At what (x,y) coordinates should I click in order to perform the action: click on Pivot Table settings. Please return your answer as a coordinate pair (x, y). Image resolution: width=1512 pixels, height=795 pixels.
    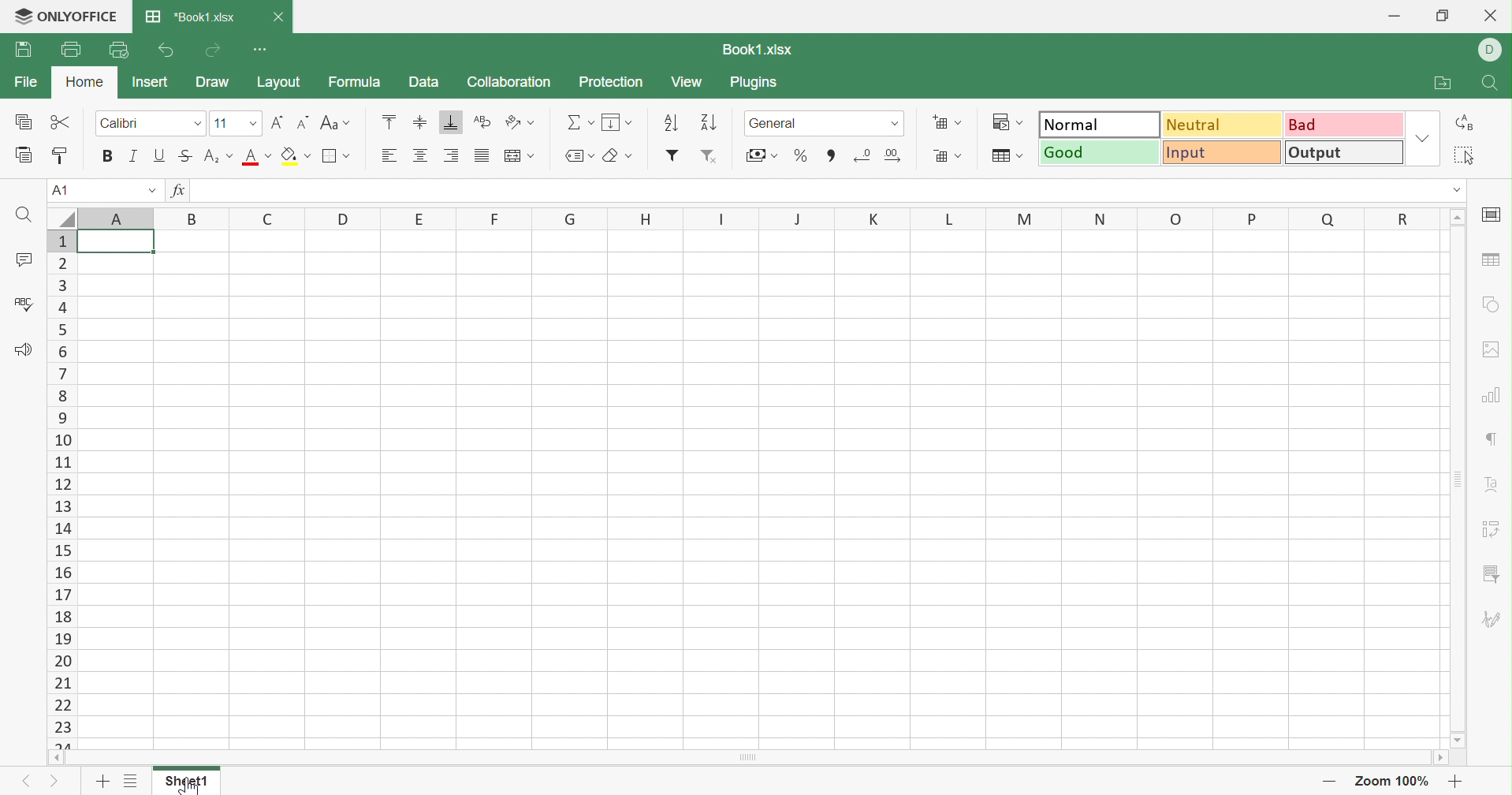
    Looking at the image, I should click on (1492, 529).